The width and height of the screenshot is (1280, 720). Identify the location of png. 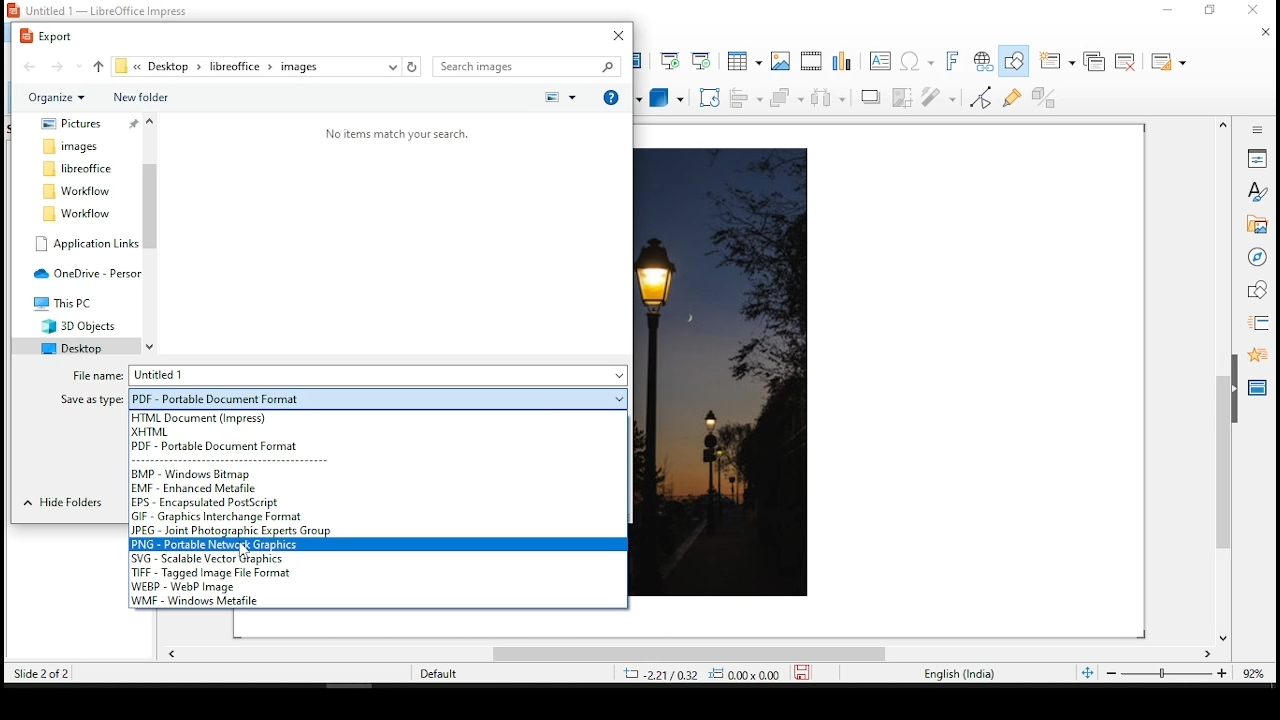
(234, 544).